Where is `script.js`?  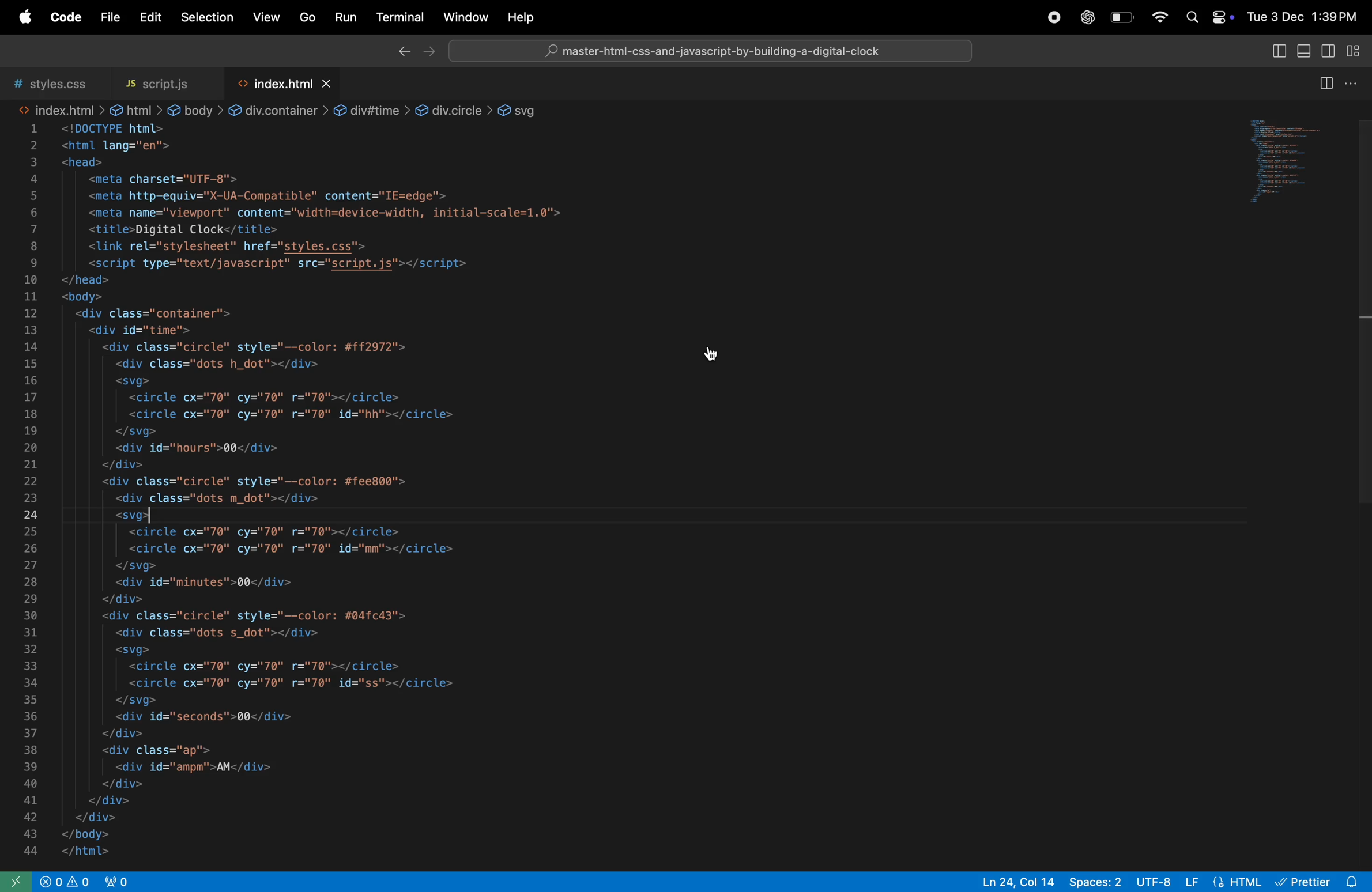 script.js is located at coordinates (158, 78).